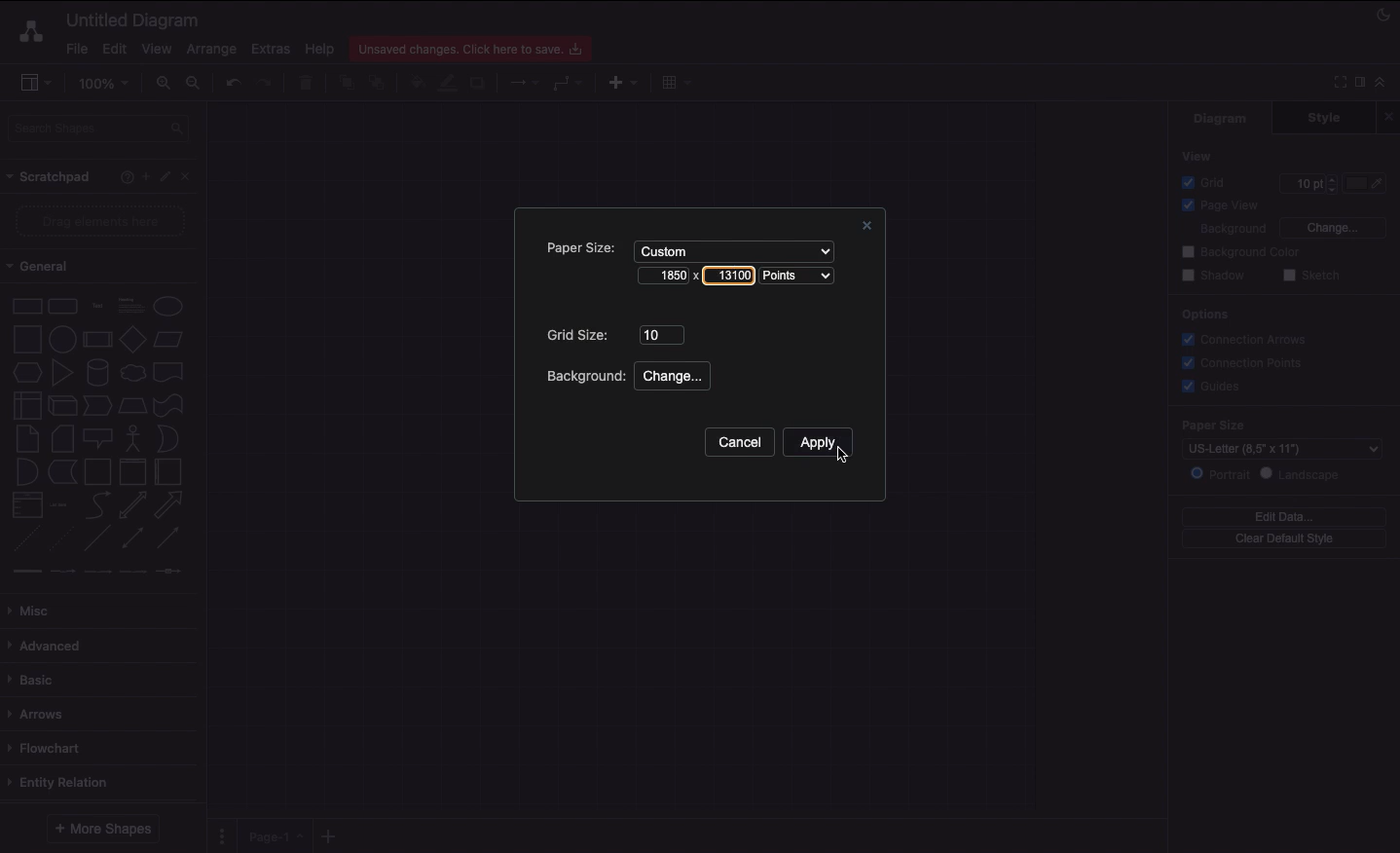 Image resolution: width=1400 pixels, height=853 pixels. Describe the element at coordinates (24, 572) in the screenshot. I see `connector 1` at that location.